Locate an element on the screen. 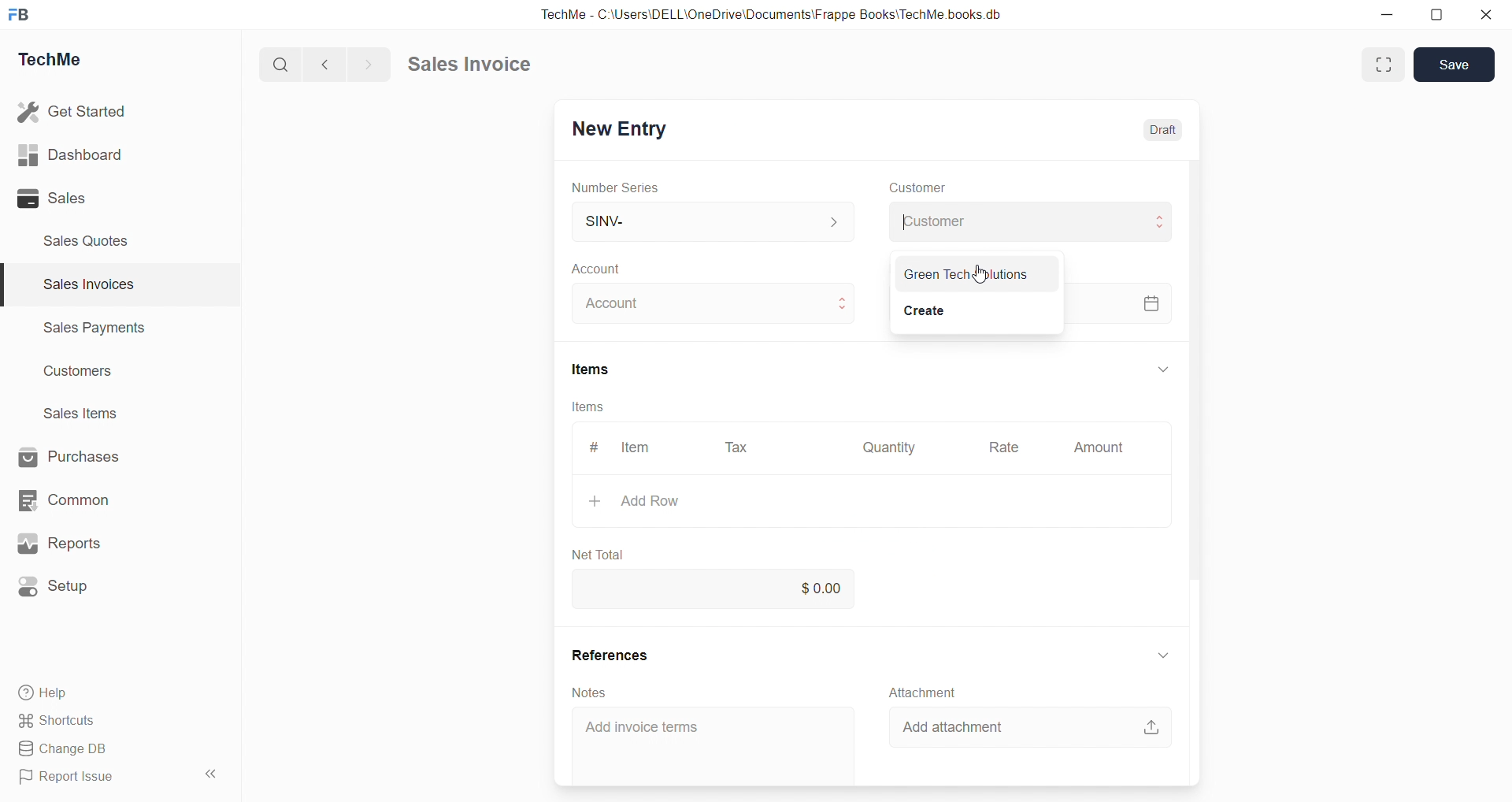 This screenshot has height=802, width=1512. Sales items is located at coordinates (82, 413).